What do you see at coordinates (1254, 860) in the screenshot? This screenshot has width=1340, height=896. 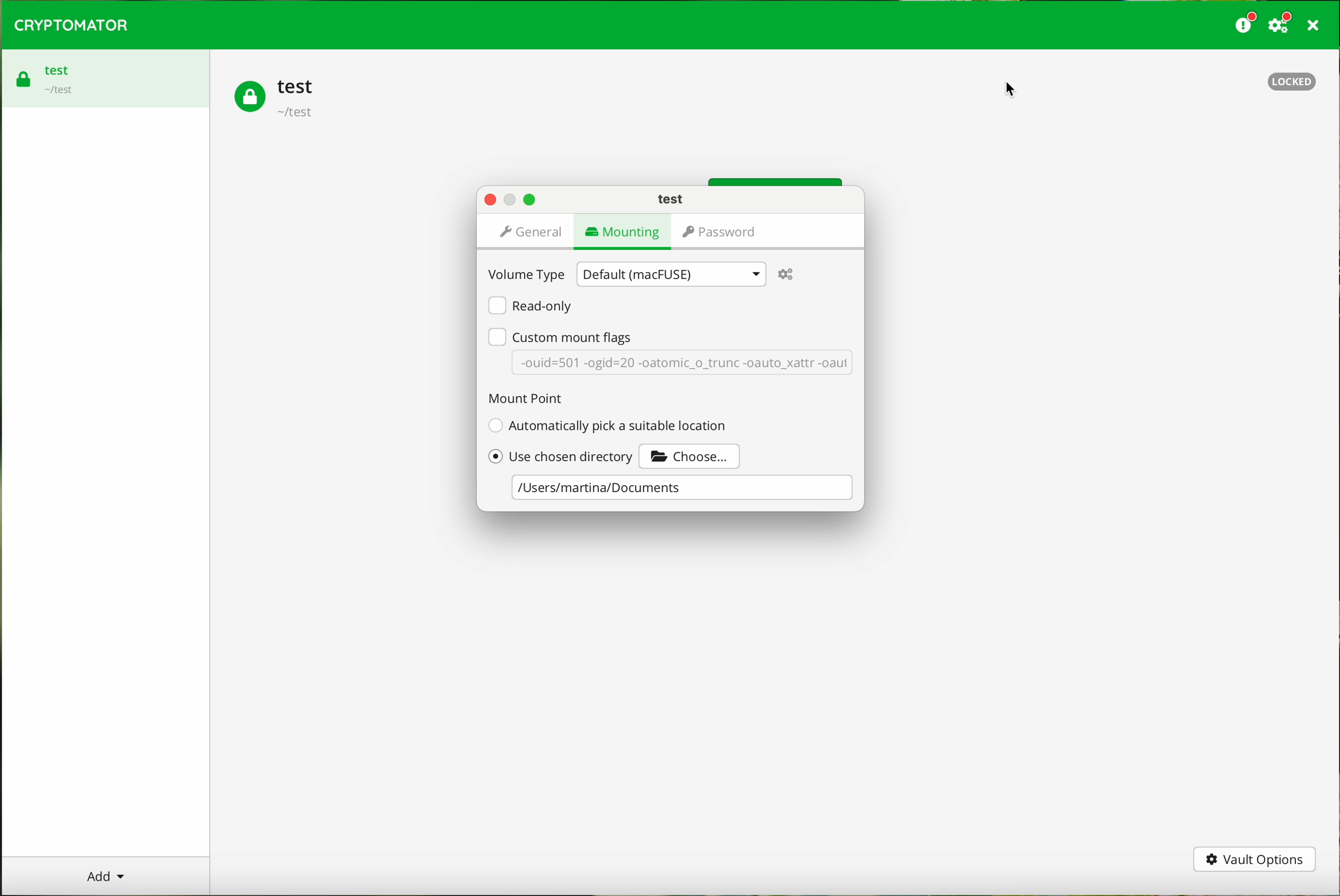 I see `vault options` at bounding box center [1254, 860].